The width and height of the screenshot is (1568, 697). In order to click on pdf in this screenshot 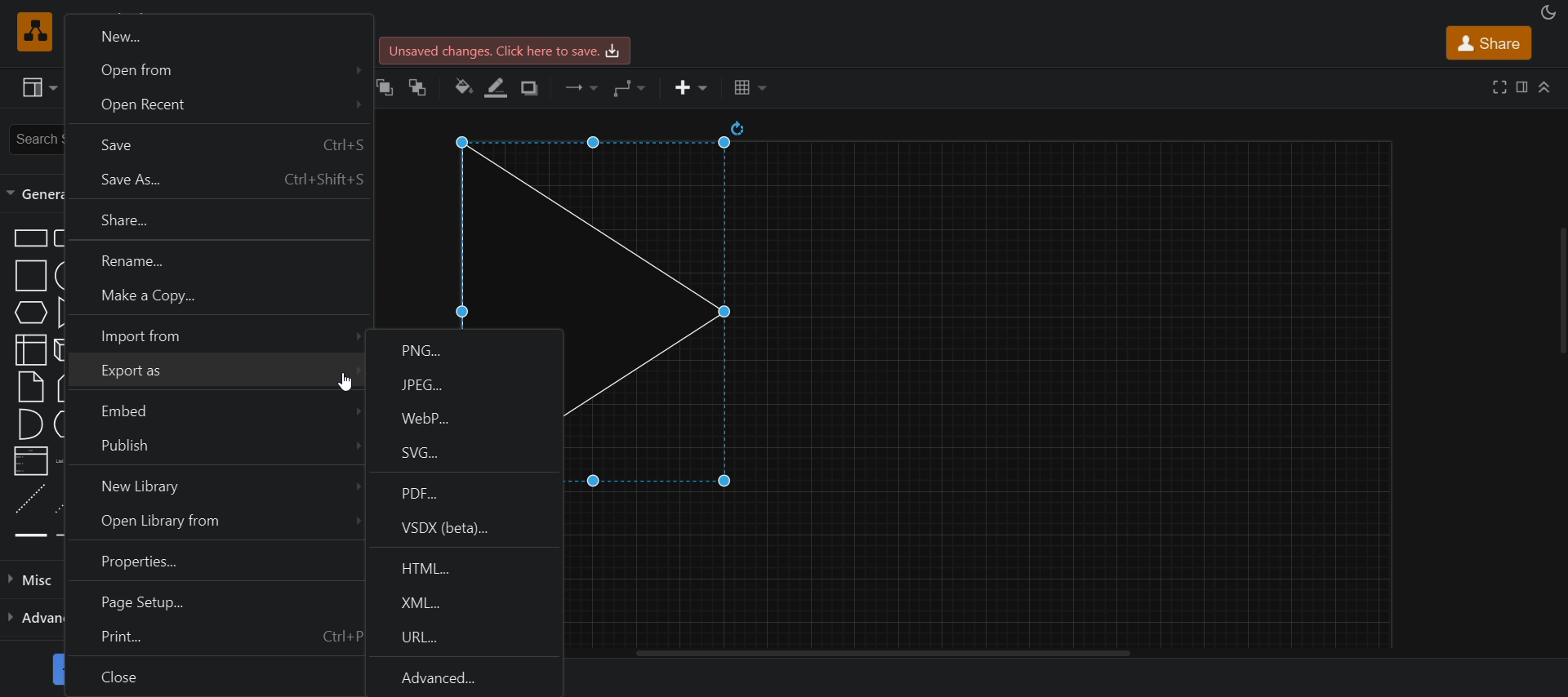, I will do `click(466, 491)`.